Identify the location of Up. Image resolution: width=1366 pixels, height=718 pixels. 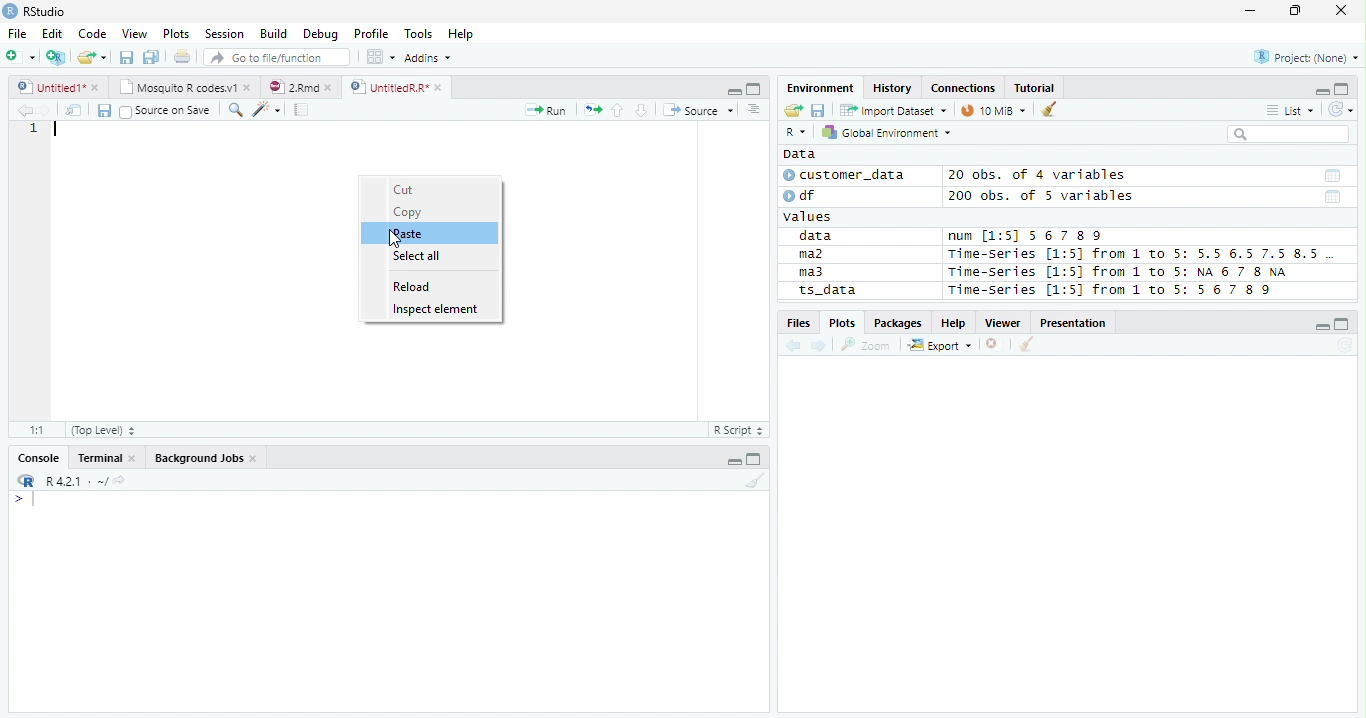
(617, 111).